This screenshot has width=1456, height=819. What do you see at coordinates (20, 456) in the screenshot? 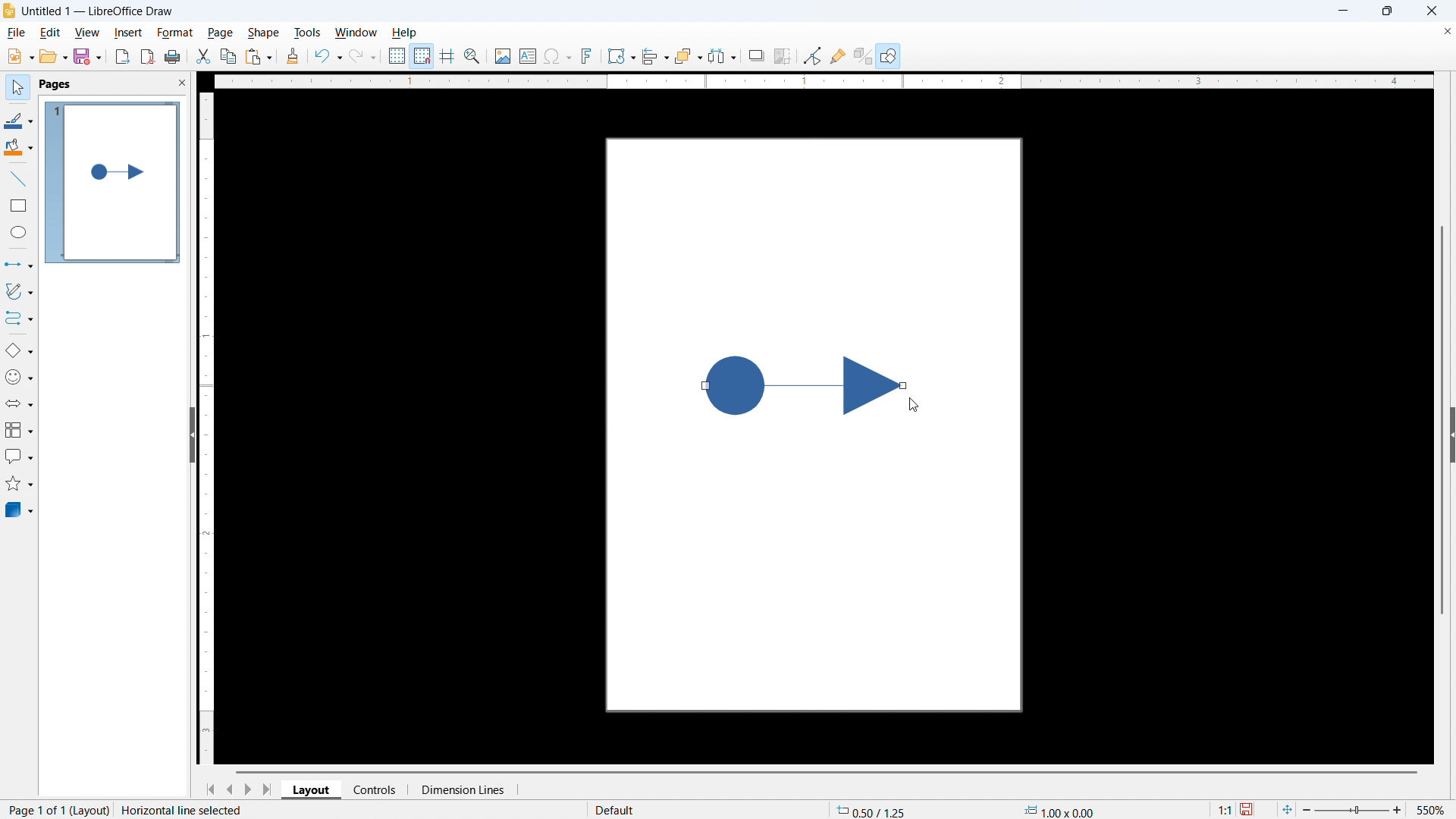
I see `Insert call out shapes ` at bounding box center [20, 456].